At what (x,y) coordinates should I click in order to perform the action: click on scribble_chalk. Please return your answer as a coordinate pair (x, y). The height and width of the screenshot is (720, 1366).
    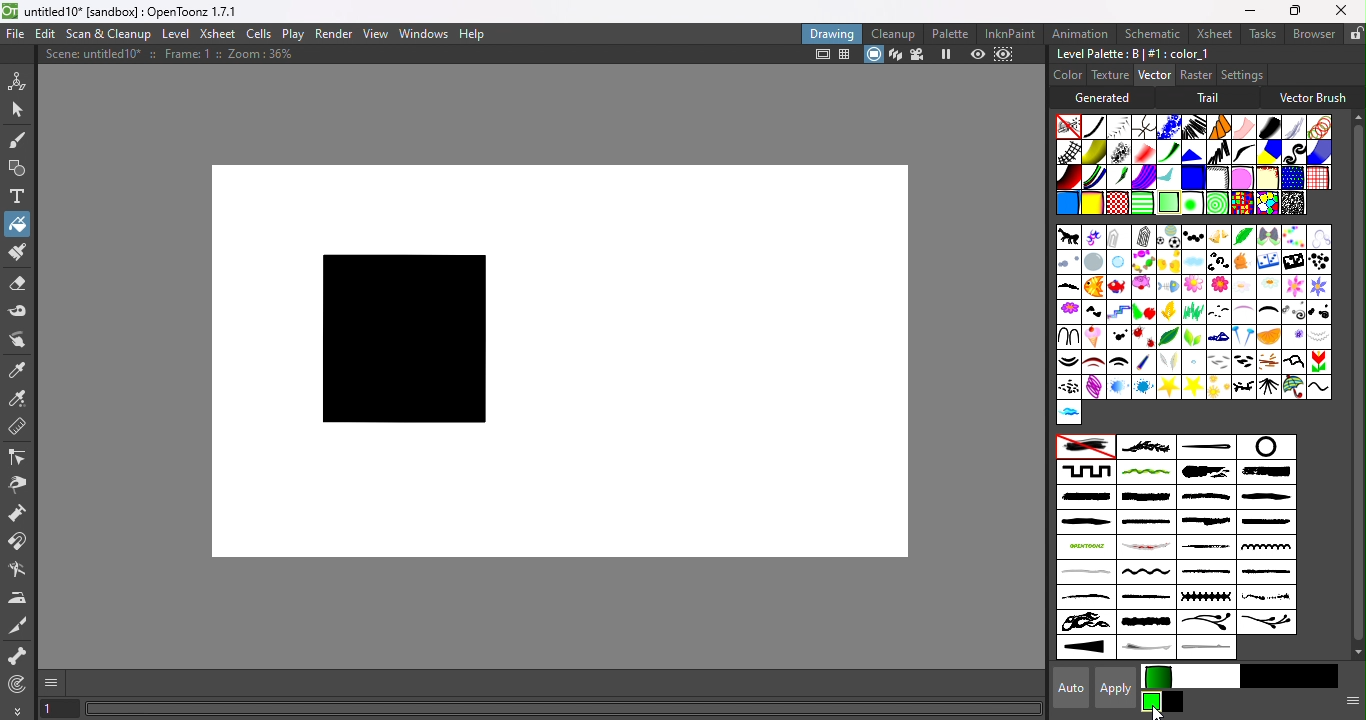
    Looking at the image, I should click on (1207, 548).